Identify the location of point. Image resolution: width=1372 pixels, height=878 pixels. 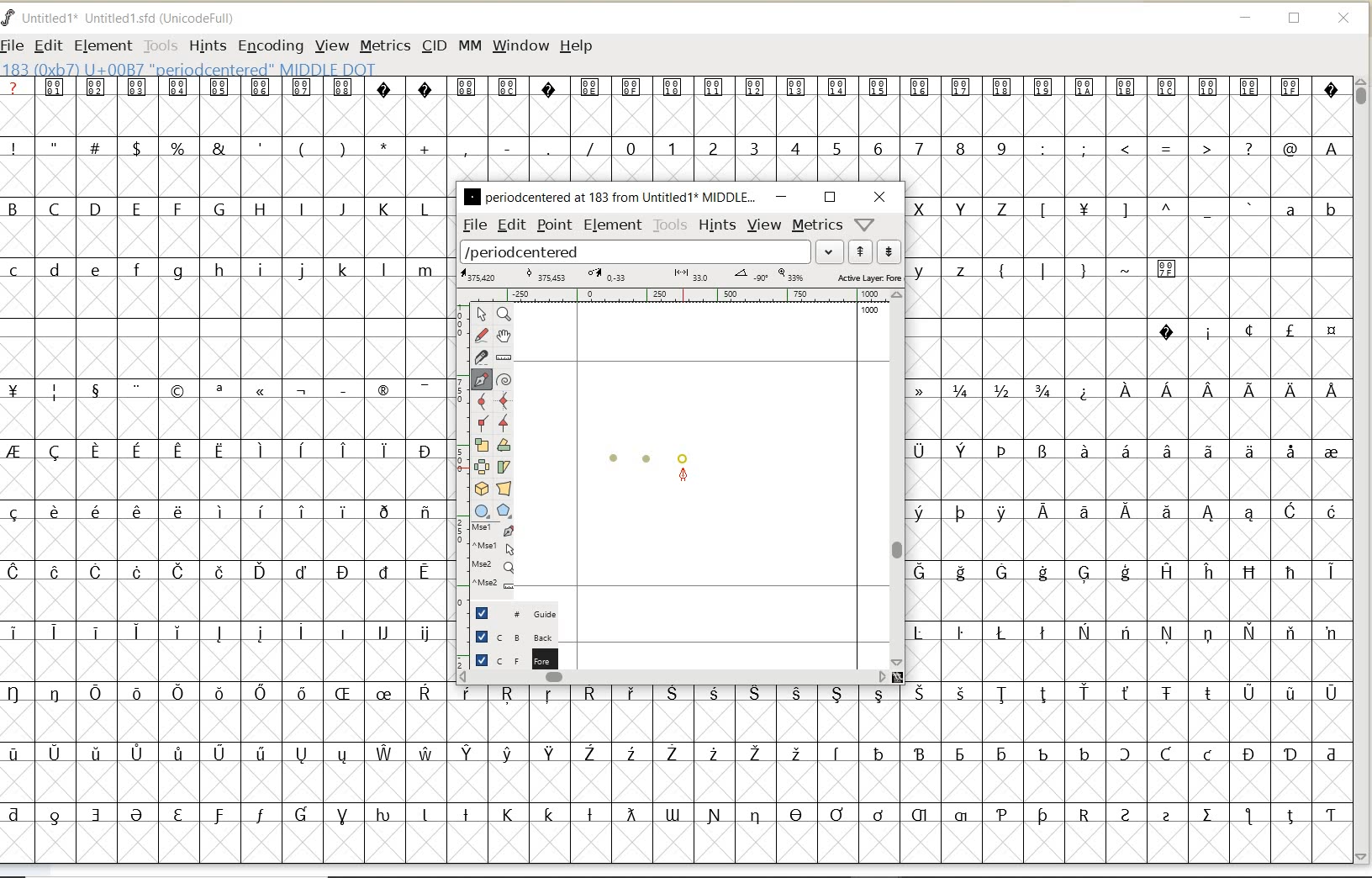
(554, 226).